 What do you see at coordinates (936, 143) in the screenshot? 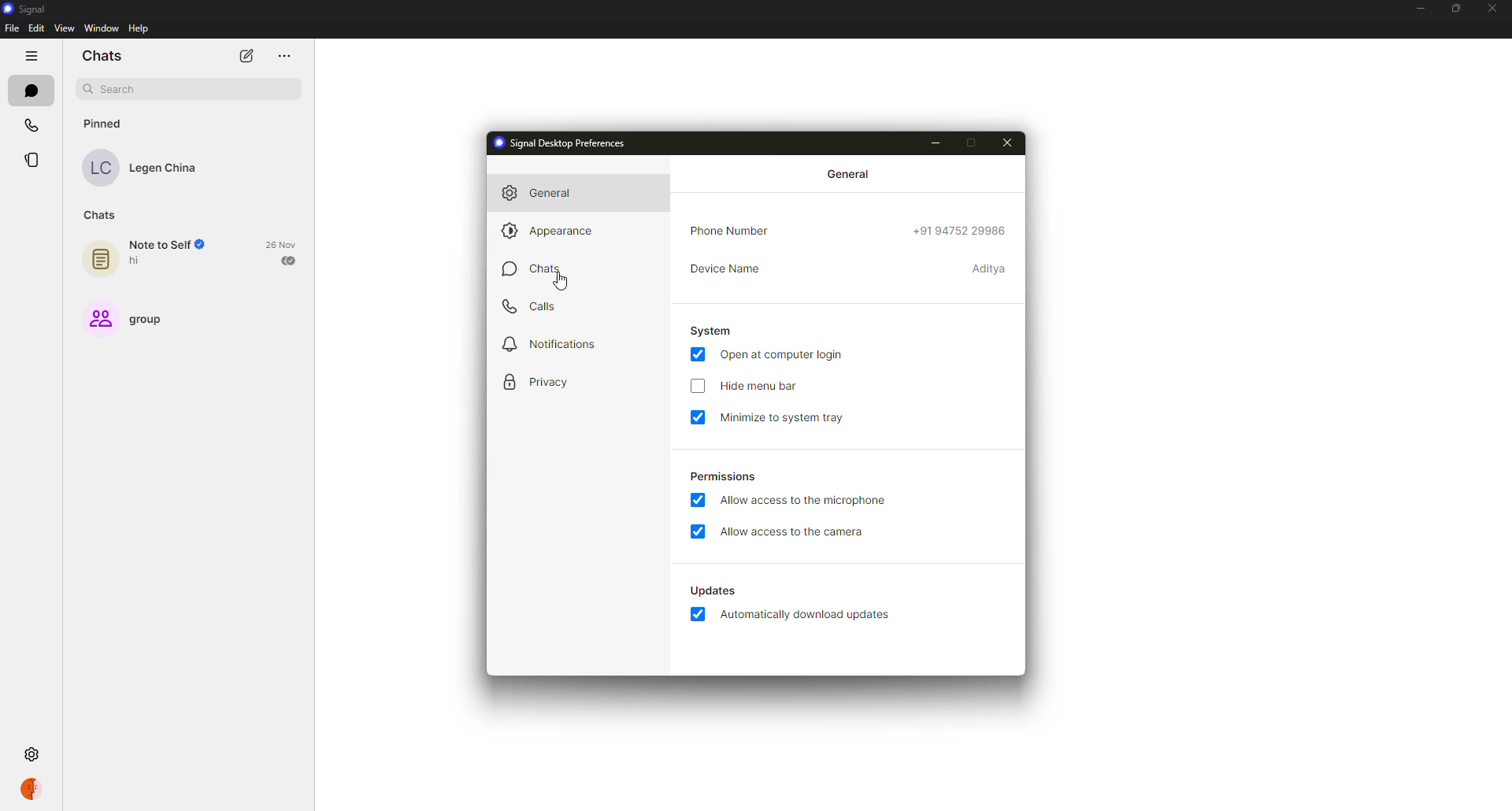
I see `minimize` at bounding box center [936, 143].